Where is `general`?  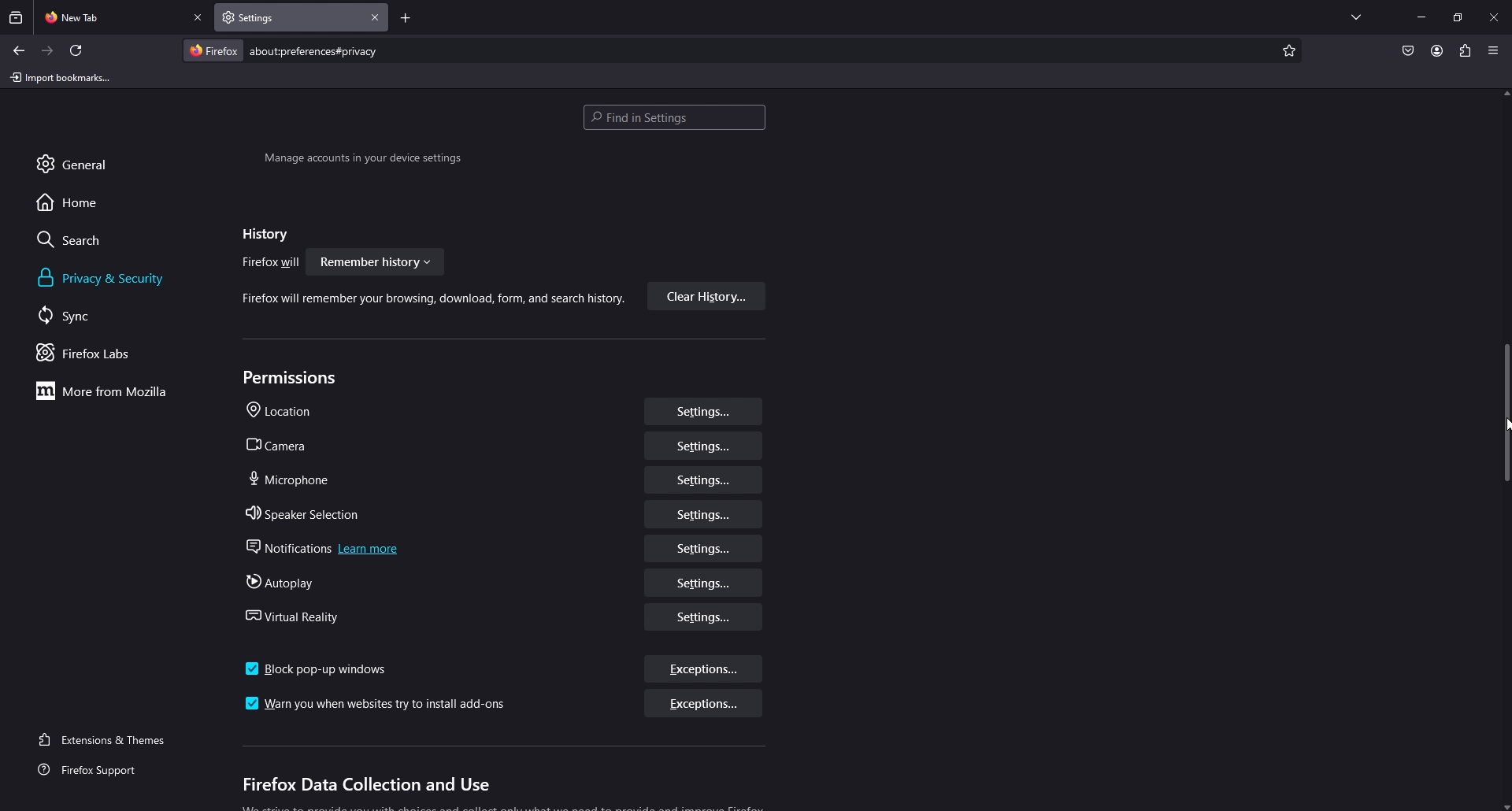
general is located at coordinates (90, 163).